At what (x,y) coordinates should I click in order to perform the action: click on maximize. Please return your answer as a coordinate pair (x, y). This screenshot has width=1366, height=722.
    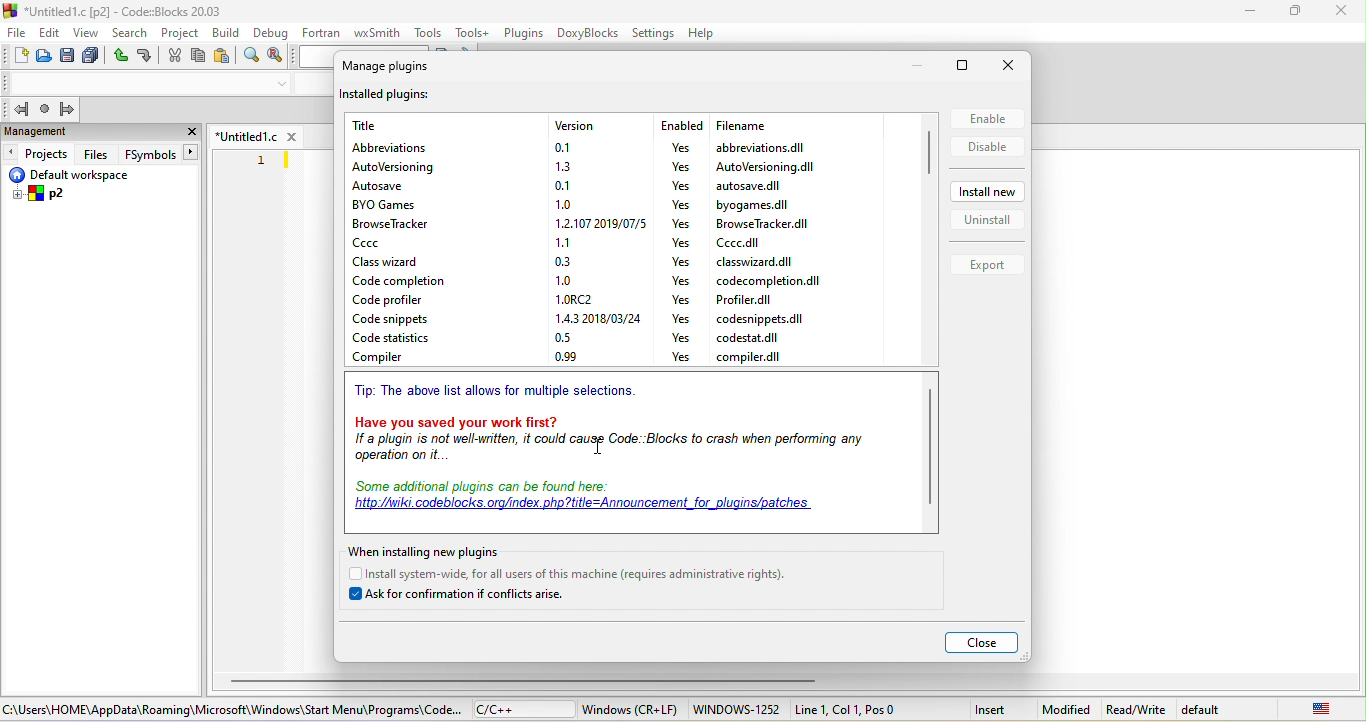
    Looking at the image, I should click on (1299, 12).